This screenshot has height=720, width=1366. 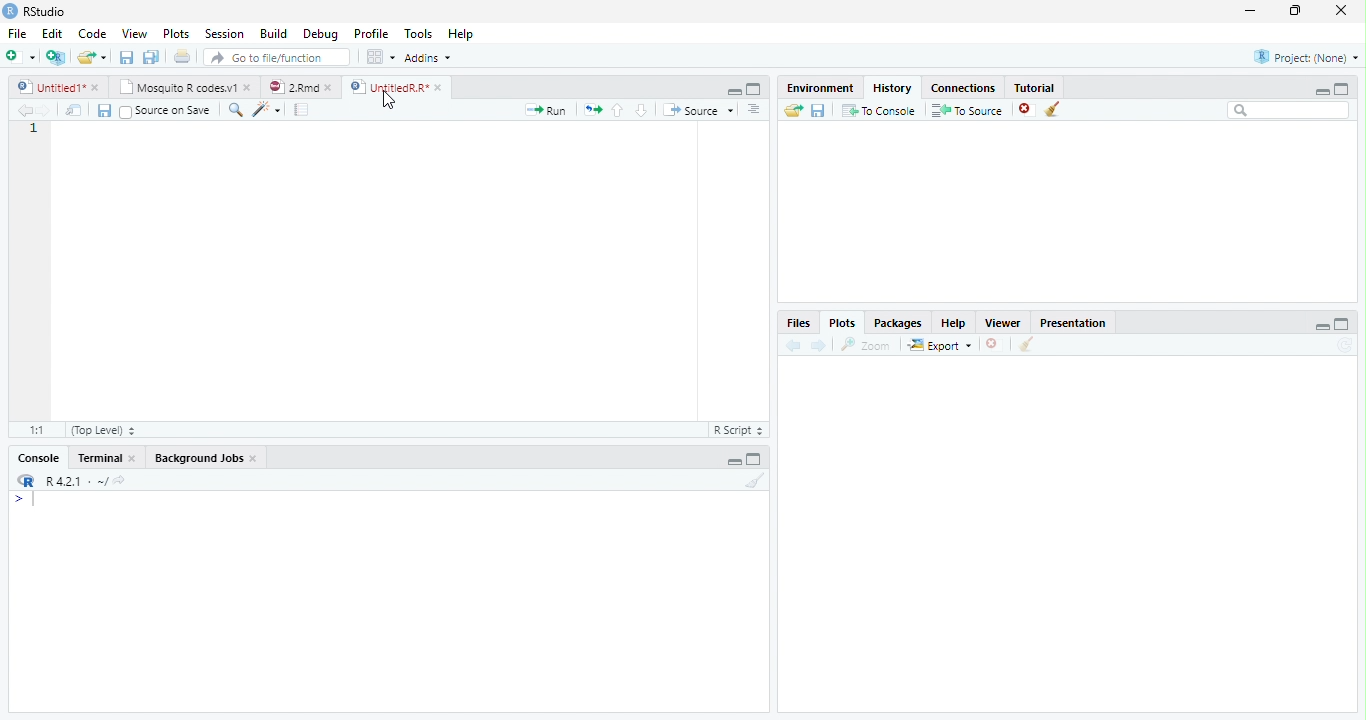 I want to click on Clear Console, so click(x=753, y=484).